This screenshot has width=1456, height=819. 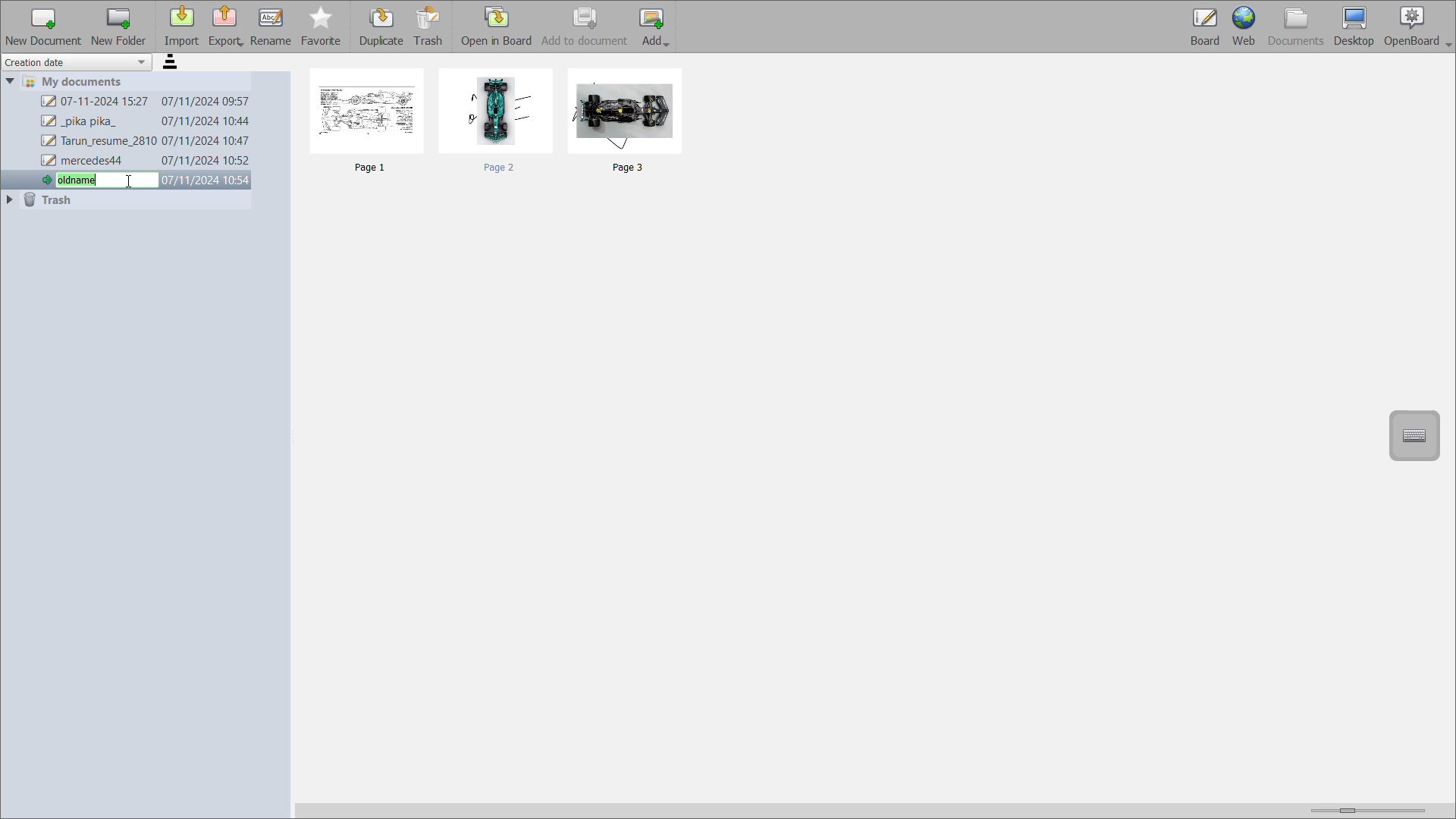 What do you see at coordinates (146, 102) in the screenshot?
I see `07-11-2024 15:27 07/11/2024 09:57` at bounding box center [146, 102].